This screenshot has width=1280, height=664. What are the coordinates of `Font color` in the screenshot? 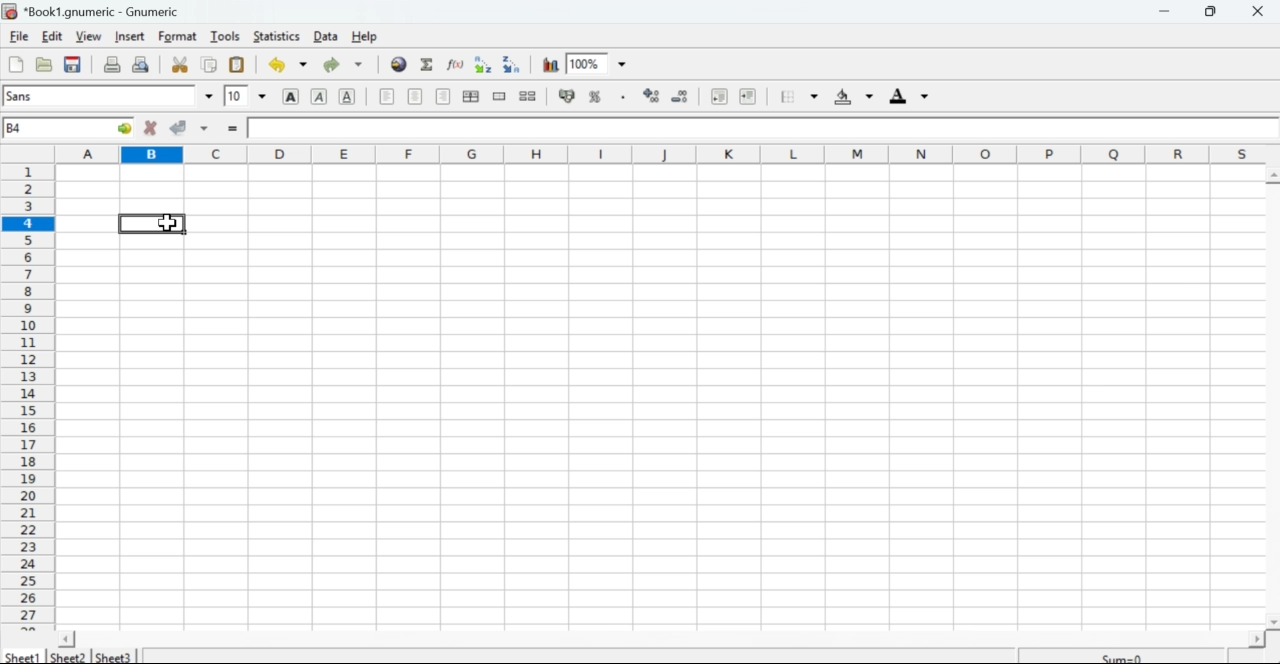 It's located at (910, 96).